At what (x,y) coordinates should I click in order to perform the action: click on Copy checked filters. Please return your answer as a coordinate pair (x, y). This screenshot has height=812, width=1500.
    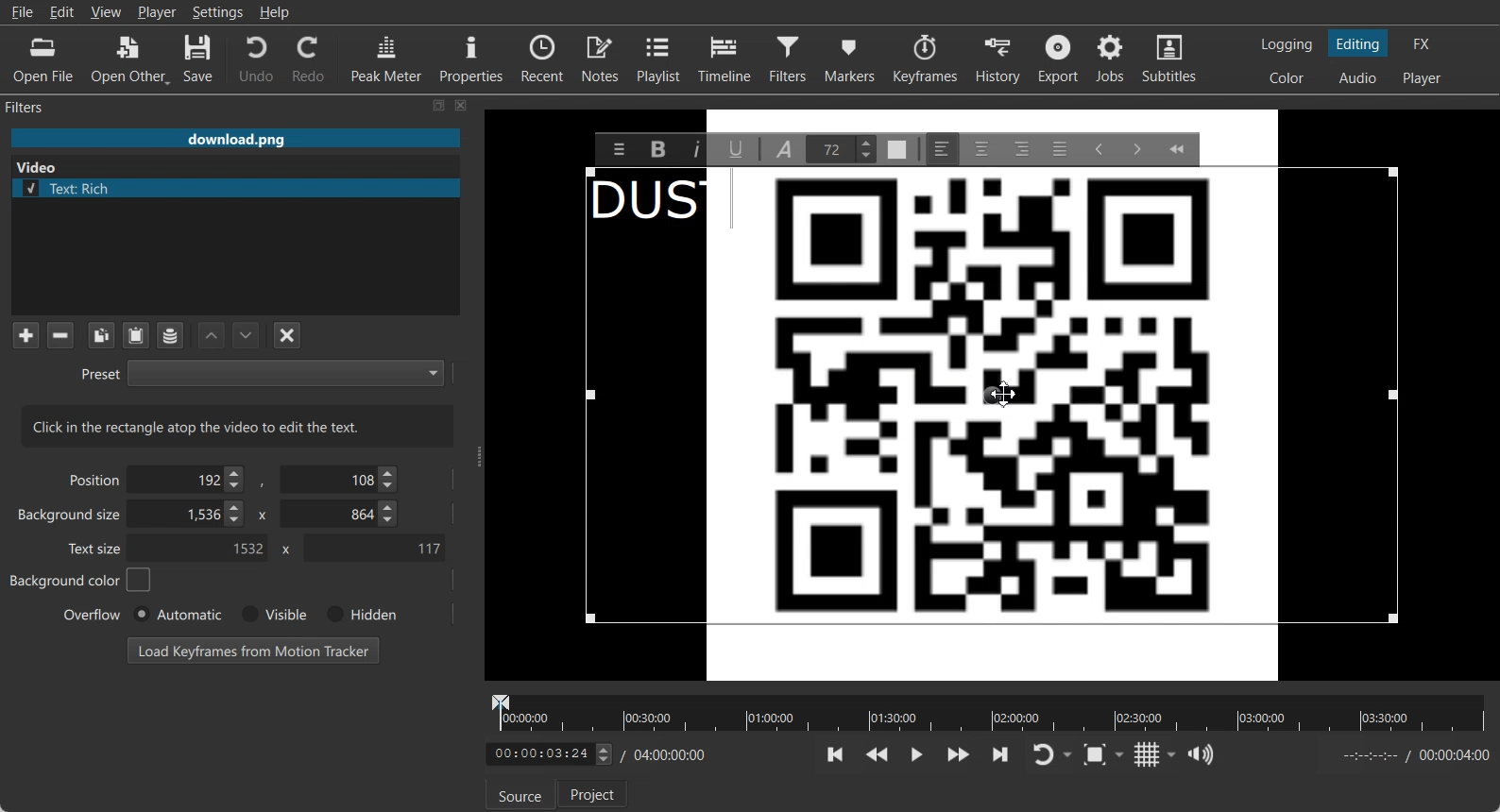
    Looking at the image, I should click on (101, 335).